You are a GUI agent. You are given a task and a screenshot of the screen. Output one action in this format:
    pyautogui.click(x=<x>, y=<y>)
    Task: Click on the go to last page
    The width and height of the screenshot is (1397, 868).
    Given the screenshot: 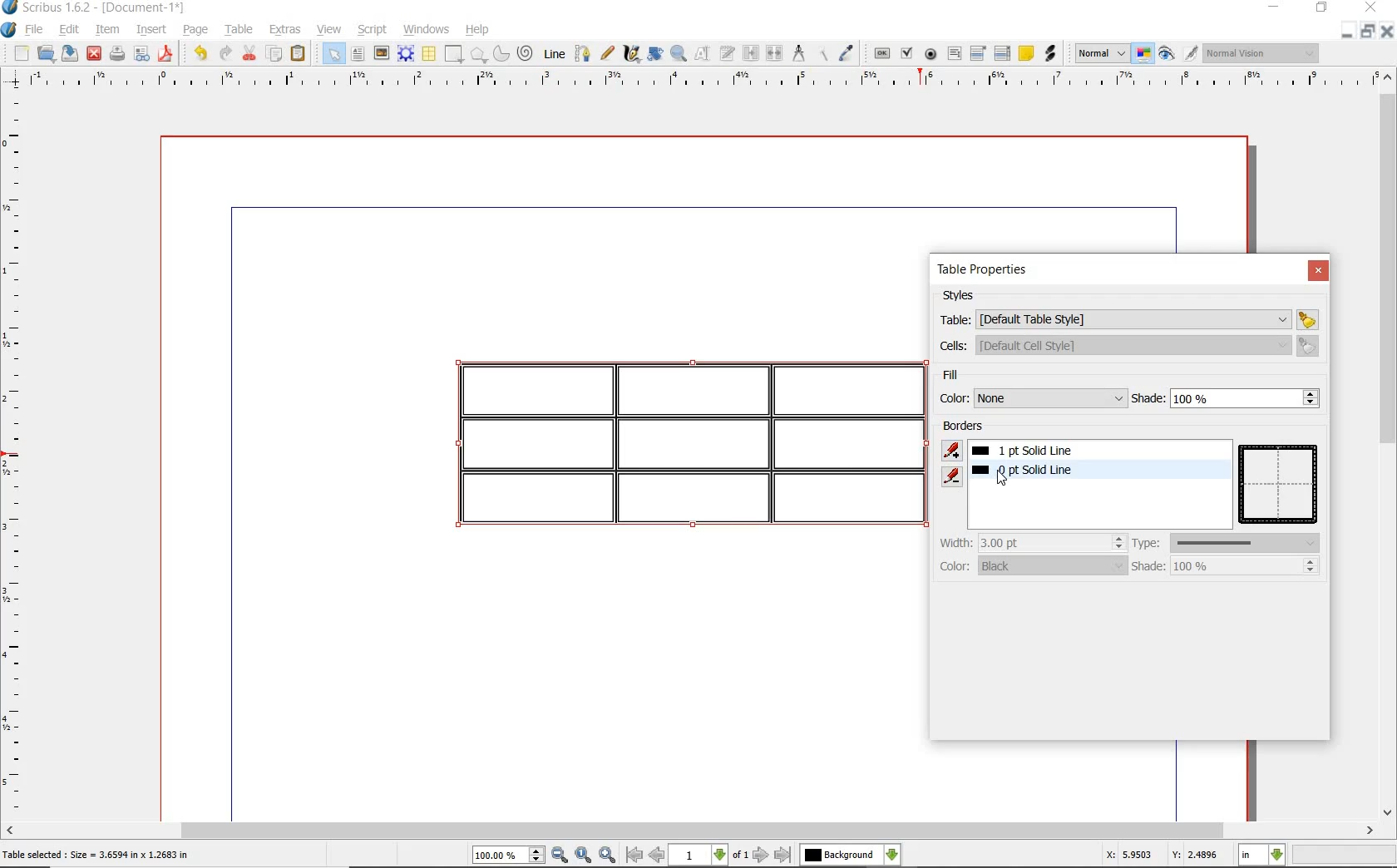 What is the action you would take?
    pyautogui.click(x=784, y=854)
    